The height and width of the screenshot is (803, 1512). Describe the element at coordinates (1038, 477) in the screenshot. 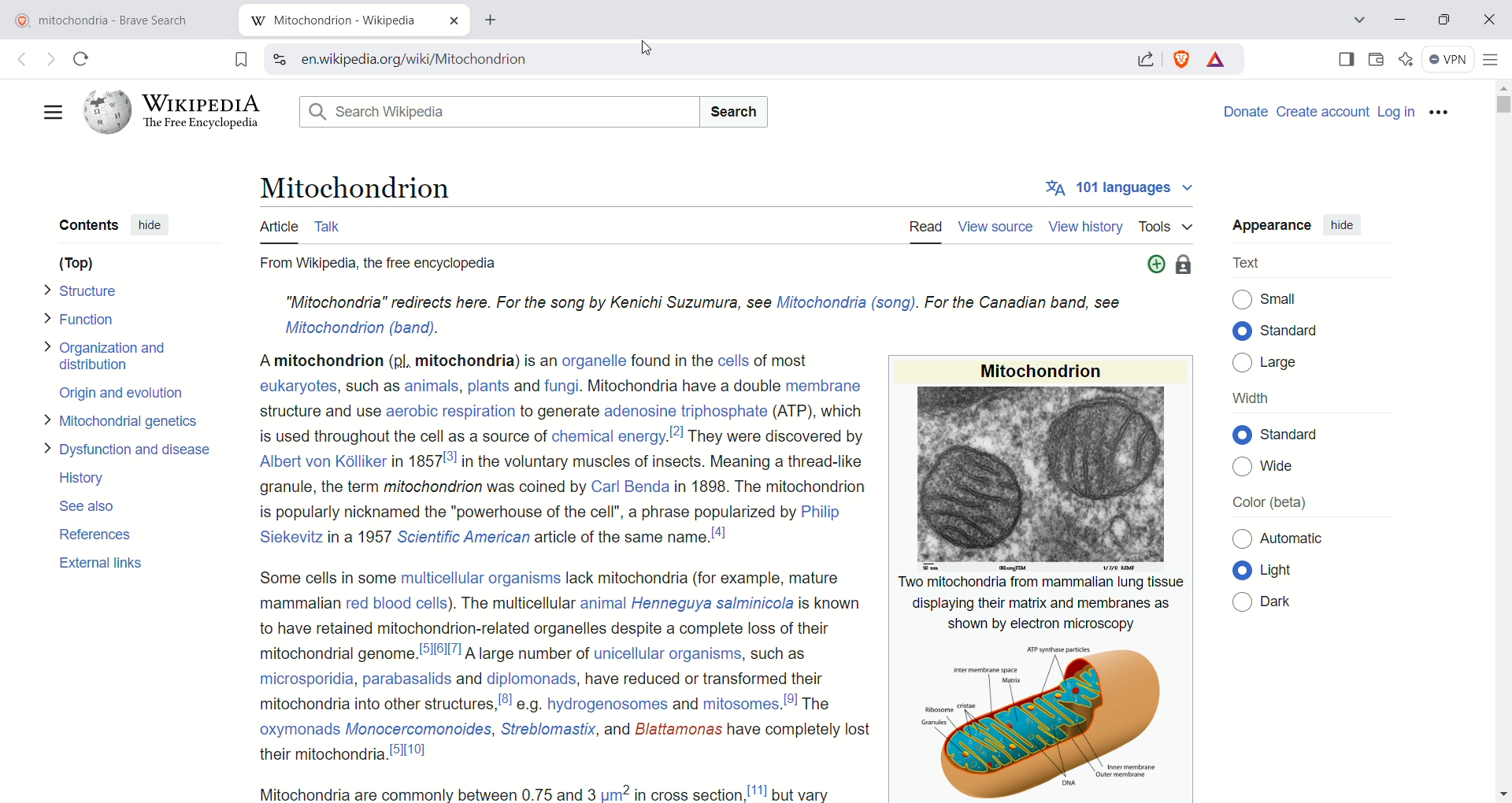

I see `mitochondrion image` at that location.